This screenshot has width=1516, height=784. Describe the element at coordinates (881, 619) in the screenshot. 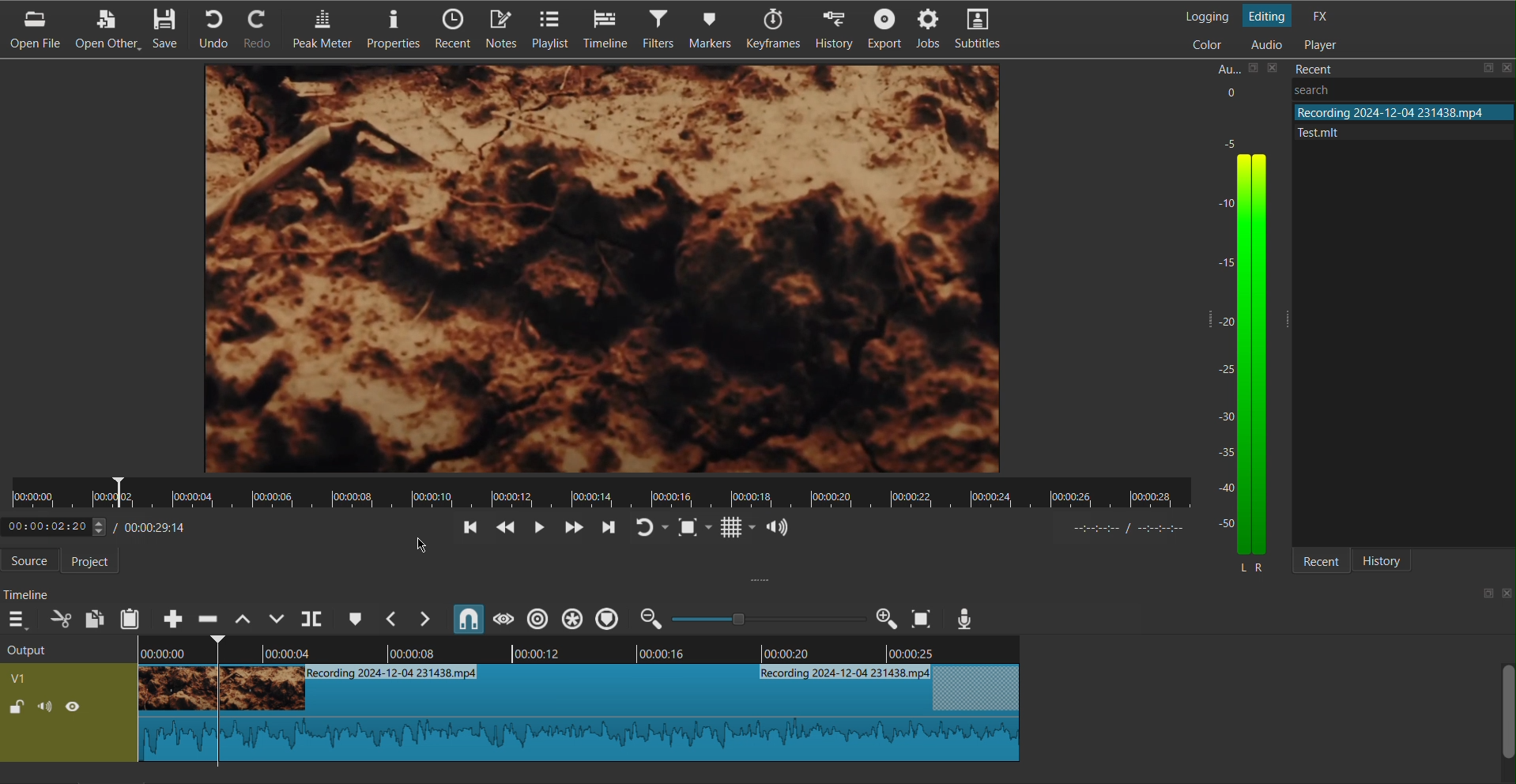

I see `Zoom` at that location.